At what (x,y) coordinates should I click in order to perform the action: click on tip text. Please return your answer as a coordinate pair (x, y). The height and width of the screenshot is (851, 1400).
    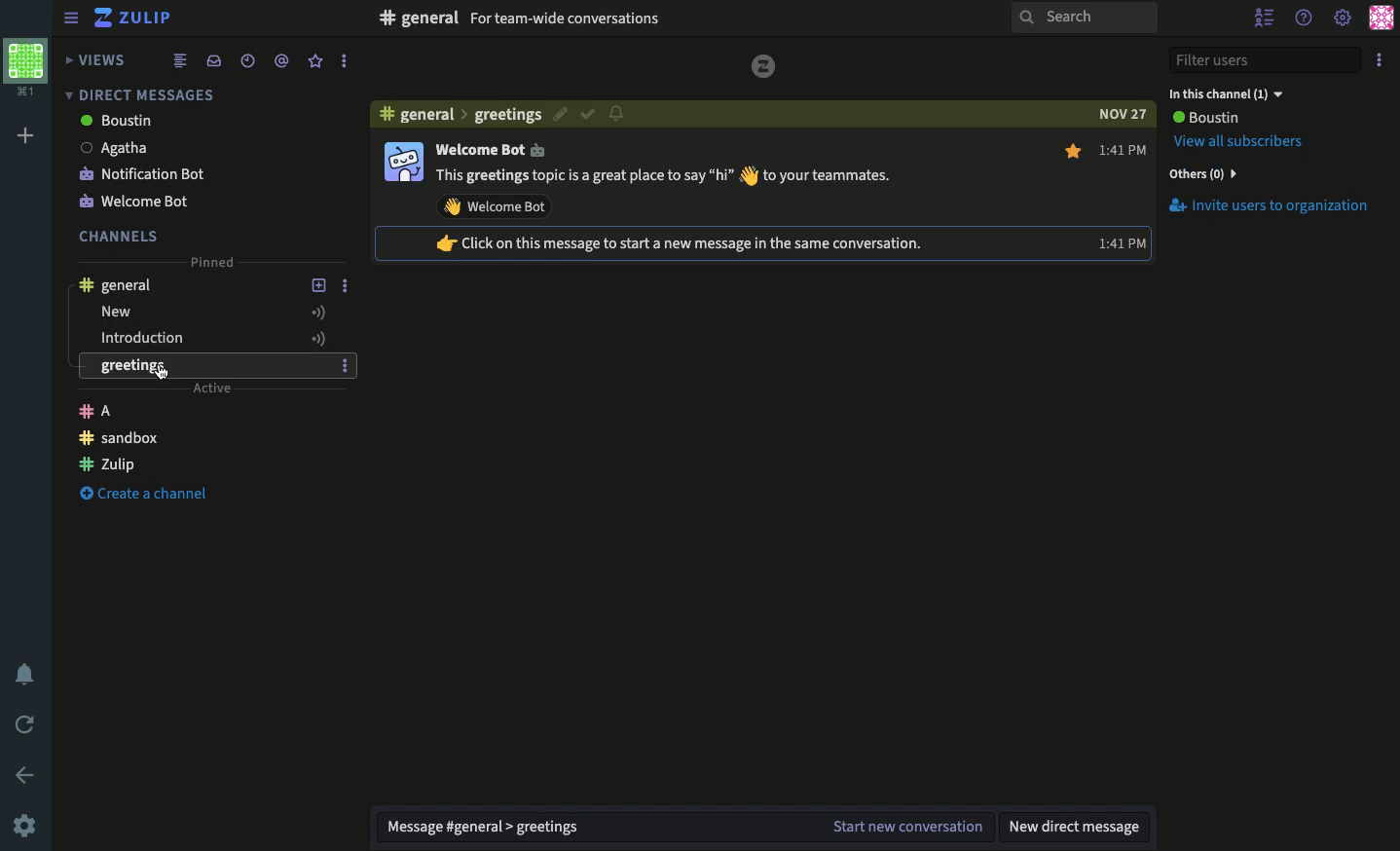
    Looking at the image, I should click on (677, 241).